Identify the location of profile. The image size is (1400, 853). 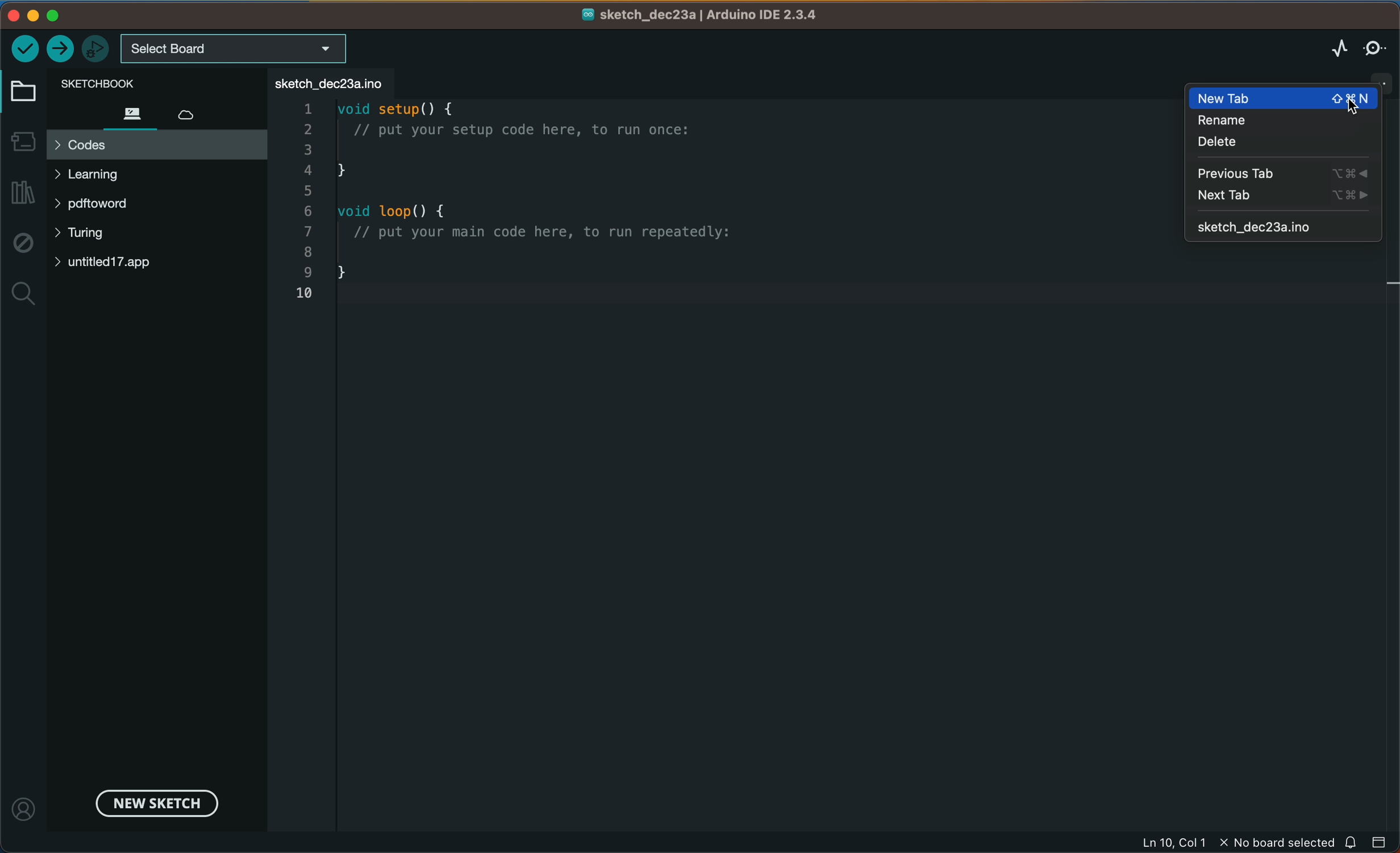
(26, 803).